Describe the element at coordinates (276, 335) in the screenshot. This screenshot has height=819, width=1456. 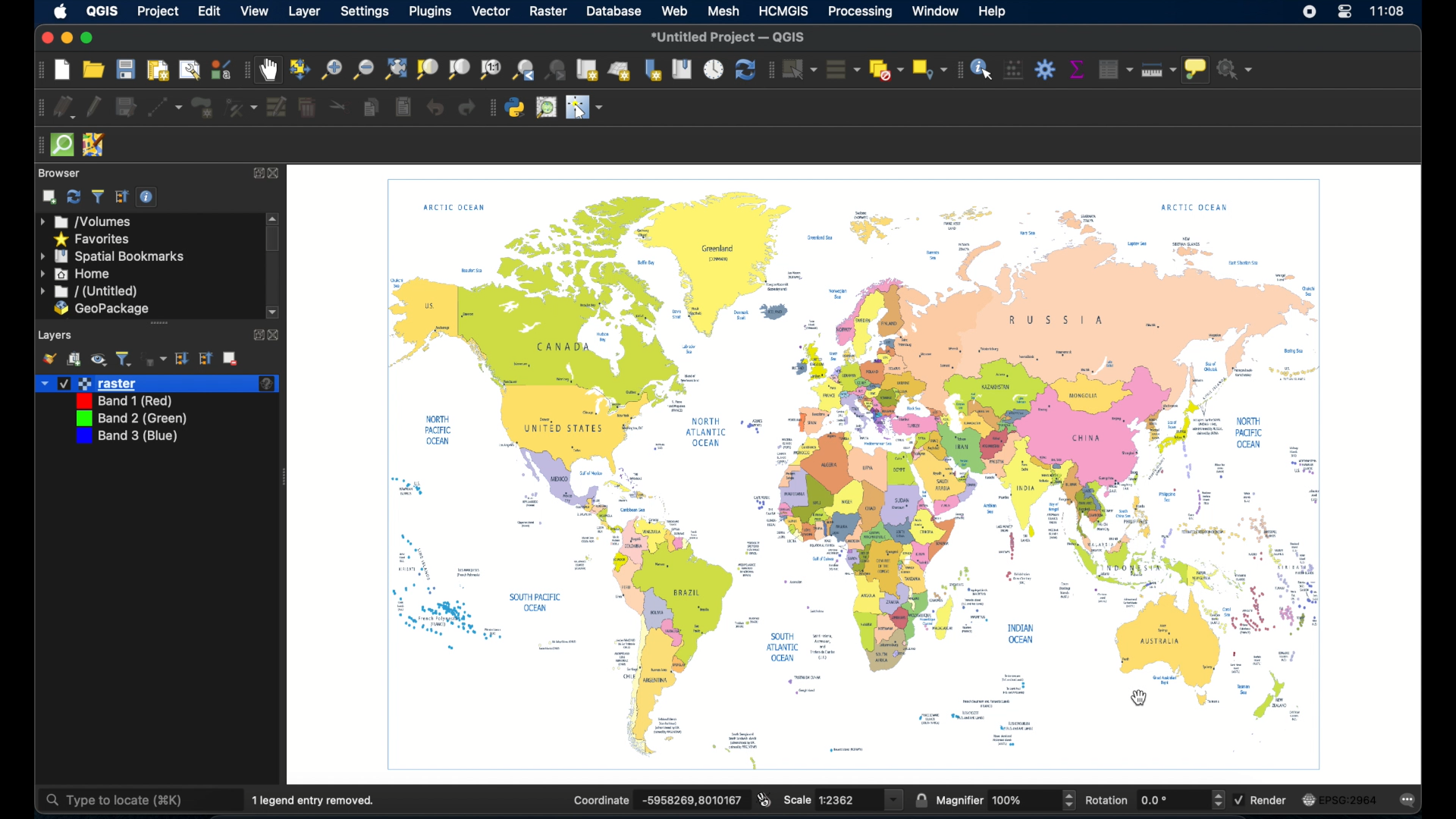
I see `close` at that location.